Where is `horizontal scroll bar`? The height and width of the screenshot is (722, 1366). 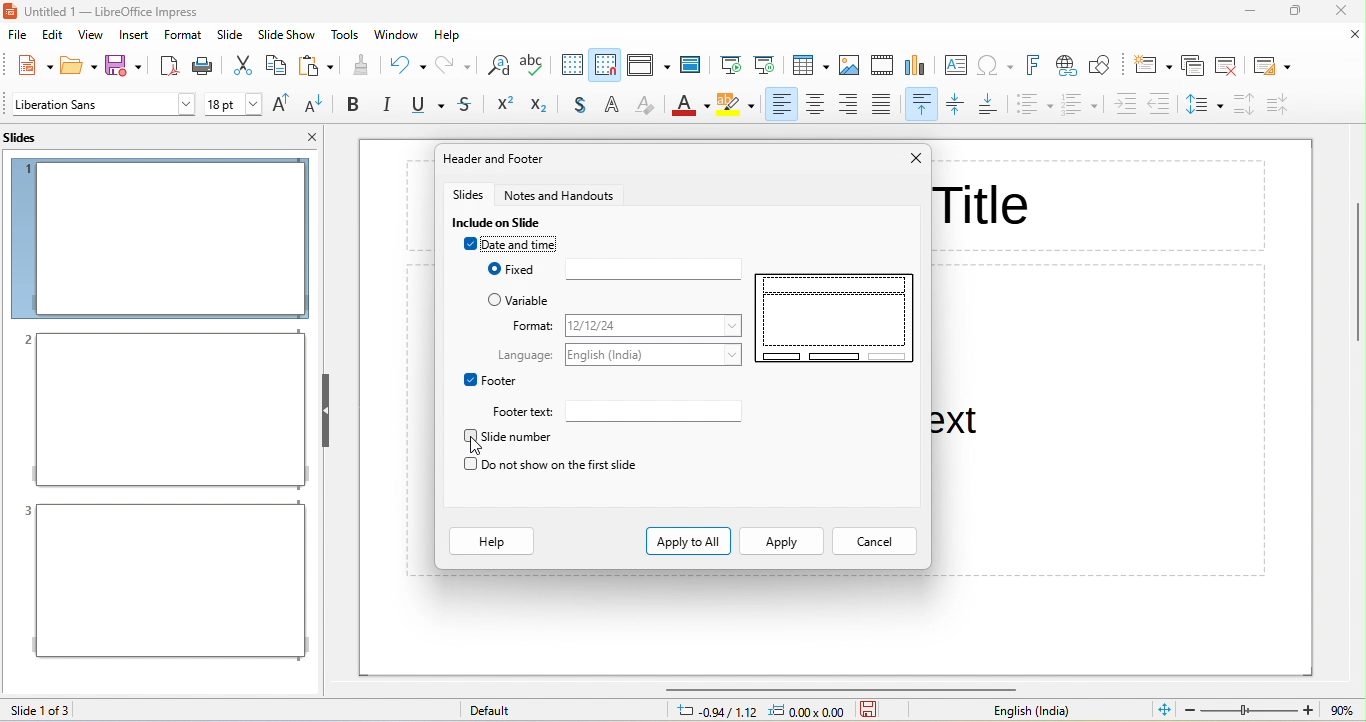
horizontal scroll bar is located at coordinates (843, 688).